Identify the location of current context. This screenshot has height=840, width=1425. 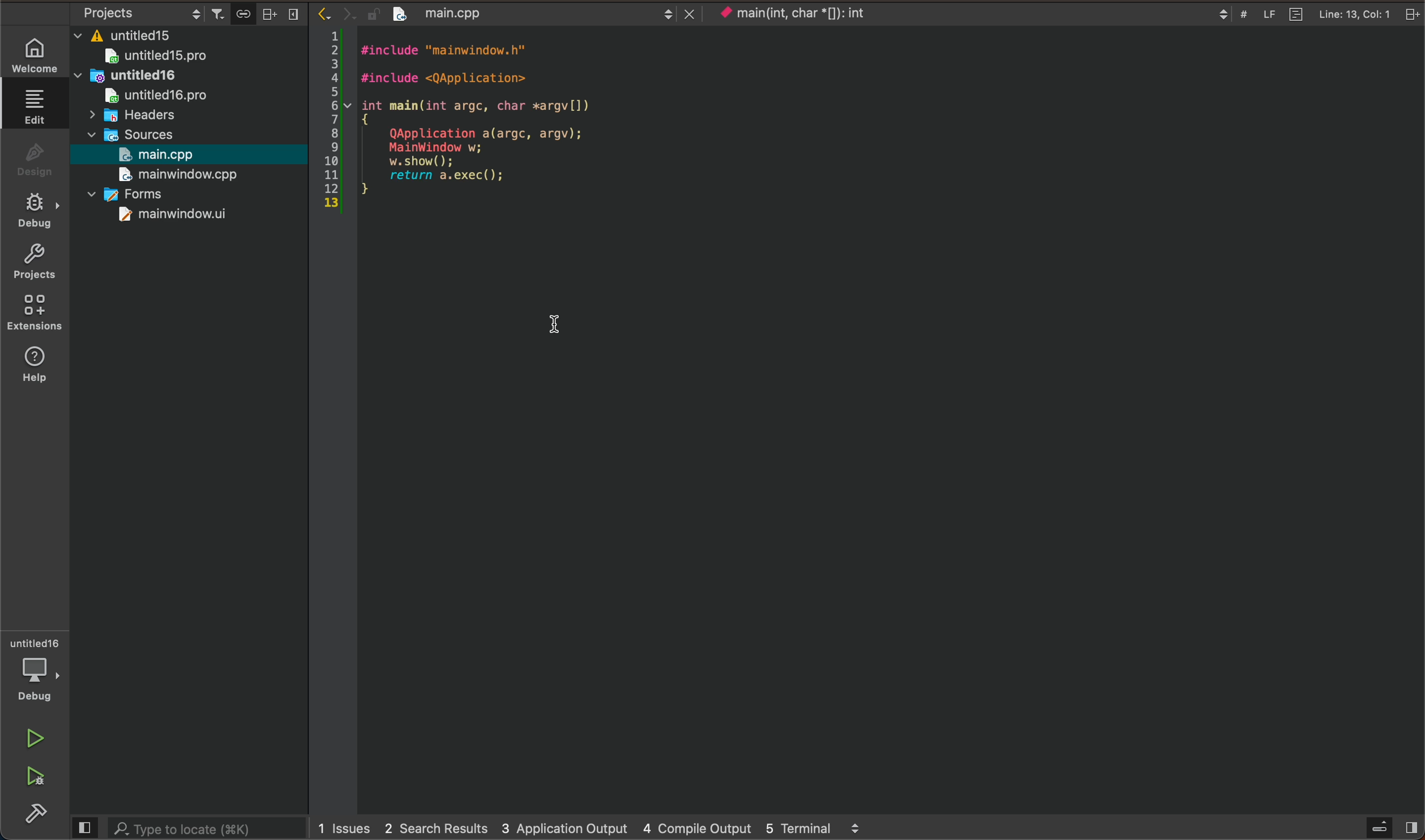
(791, 14).